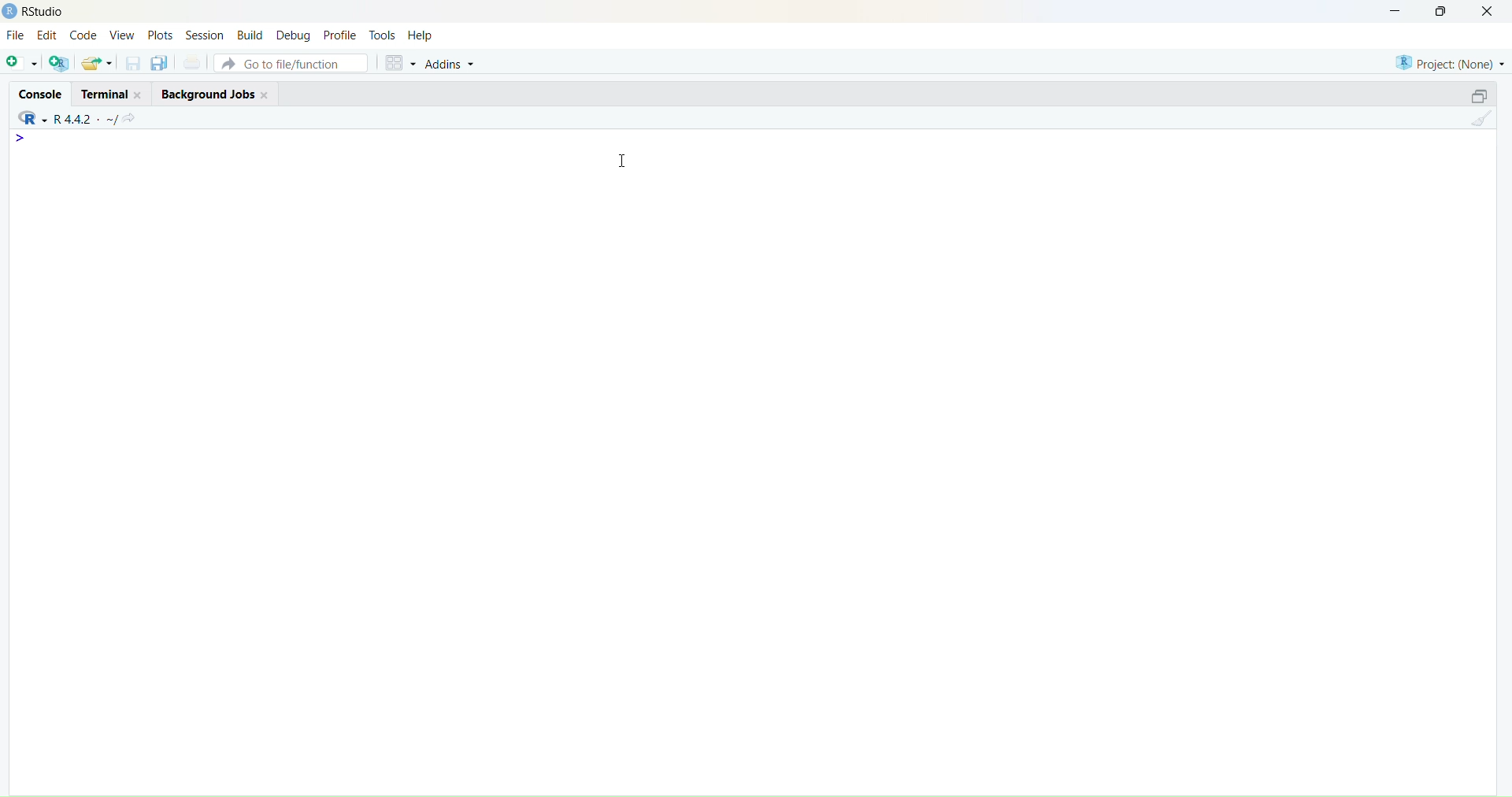 Image resolution: width=1512 pixels, height=797 pixels. What do you see at coordinates (28, 118) in the screenshot?
I see `R` at bounding box center [28, 118].